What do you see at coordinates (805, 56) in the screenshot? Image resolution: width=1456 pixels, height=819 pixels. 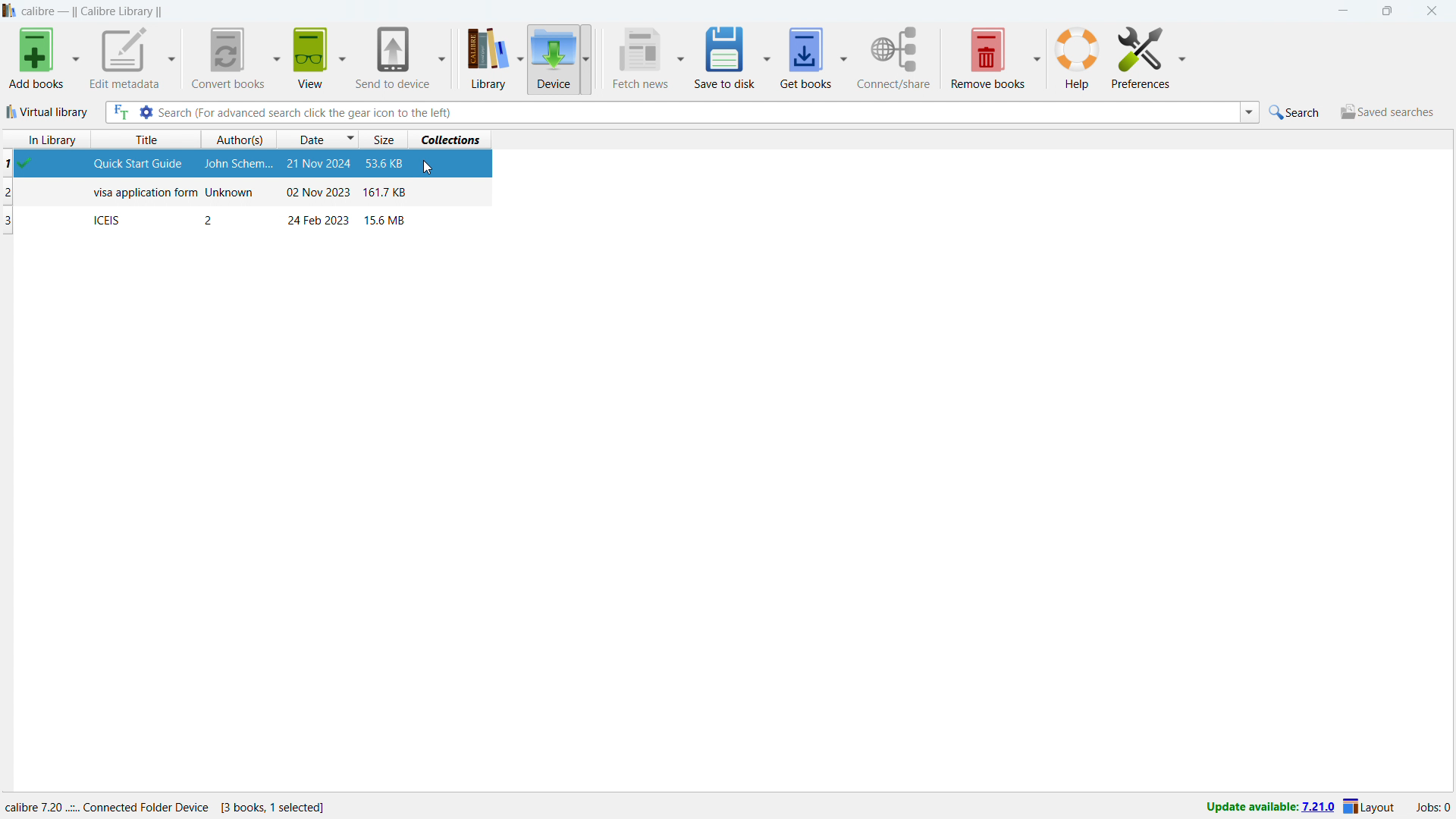 I see `get books` at bounding box center [805, 56].